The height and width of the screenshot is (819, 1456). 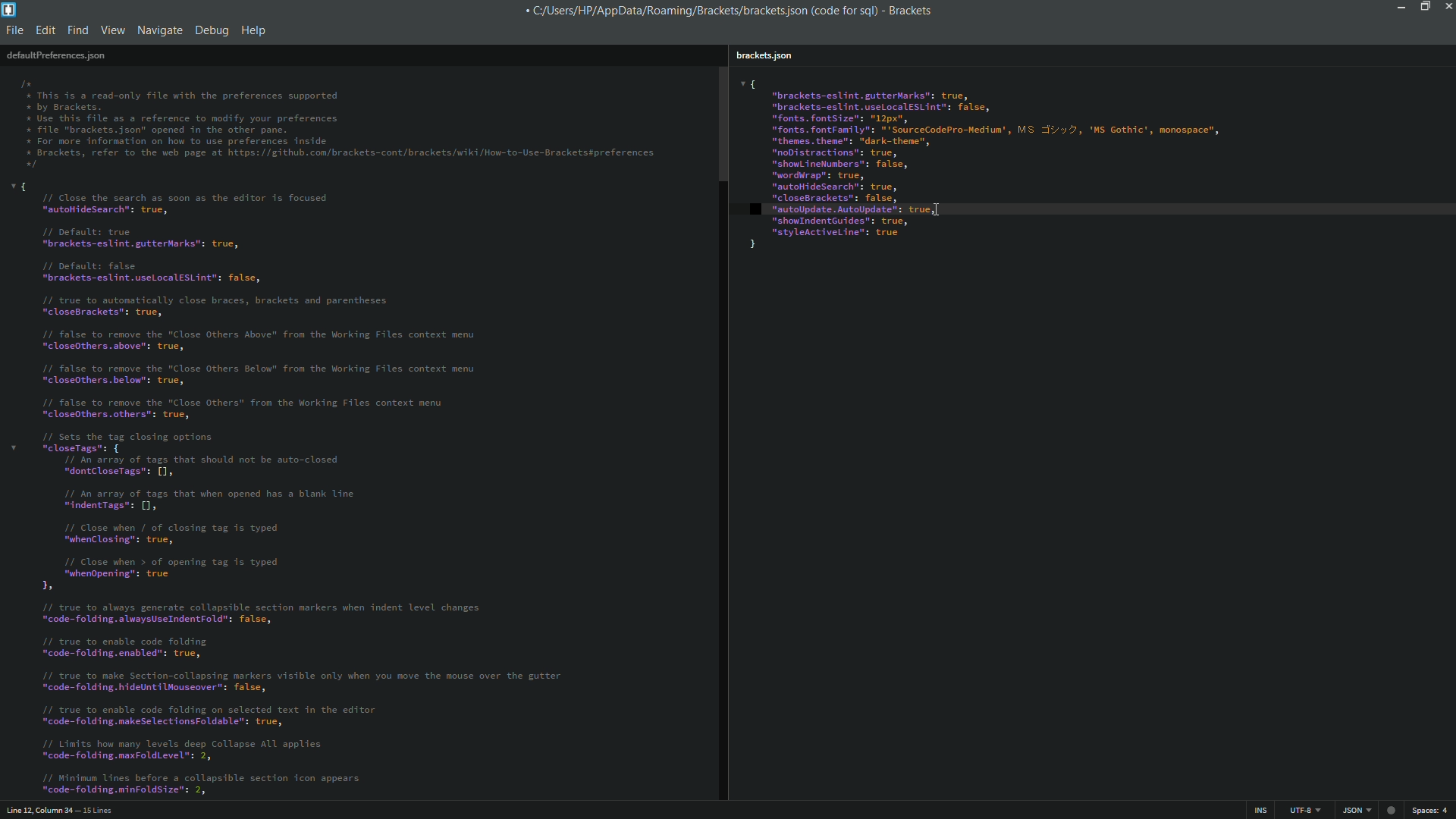 I want to click on defaultpreferences.json, so click(x=55, y=55).